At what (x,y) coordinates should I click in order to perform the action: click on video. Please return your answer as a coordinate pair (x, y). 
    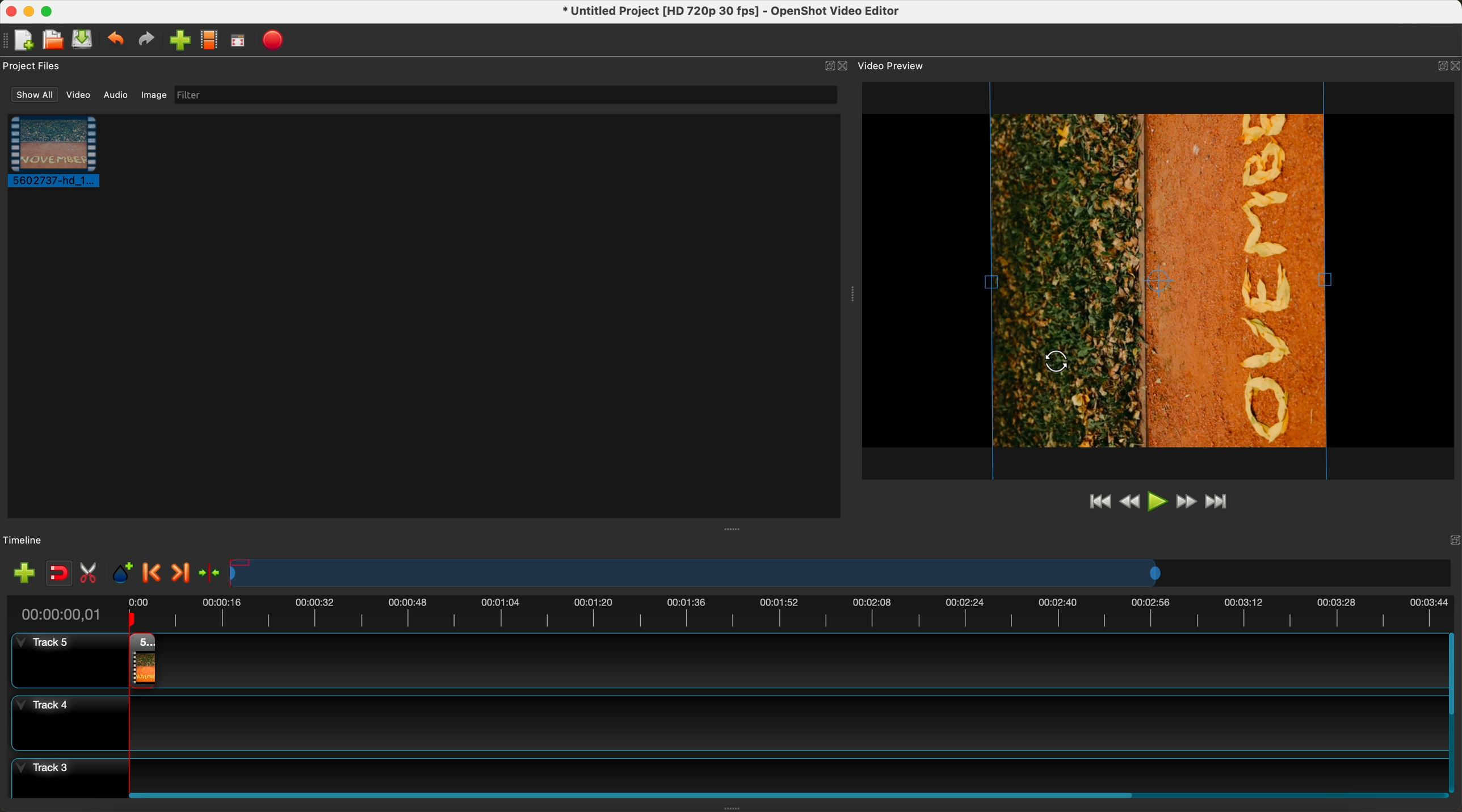
    Looking at the image, I should click on (78, 96).